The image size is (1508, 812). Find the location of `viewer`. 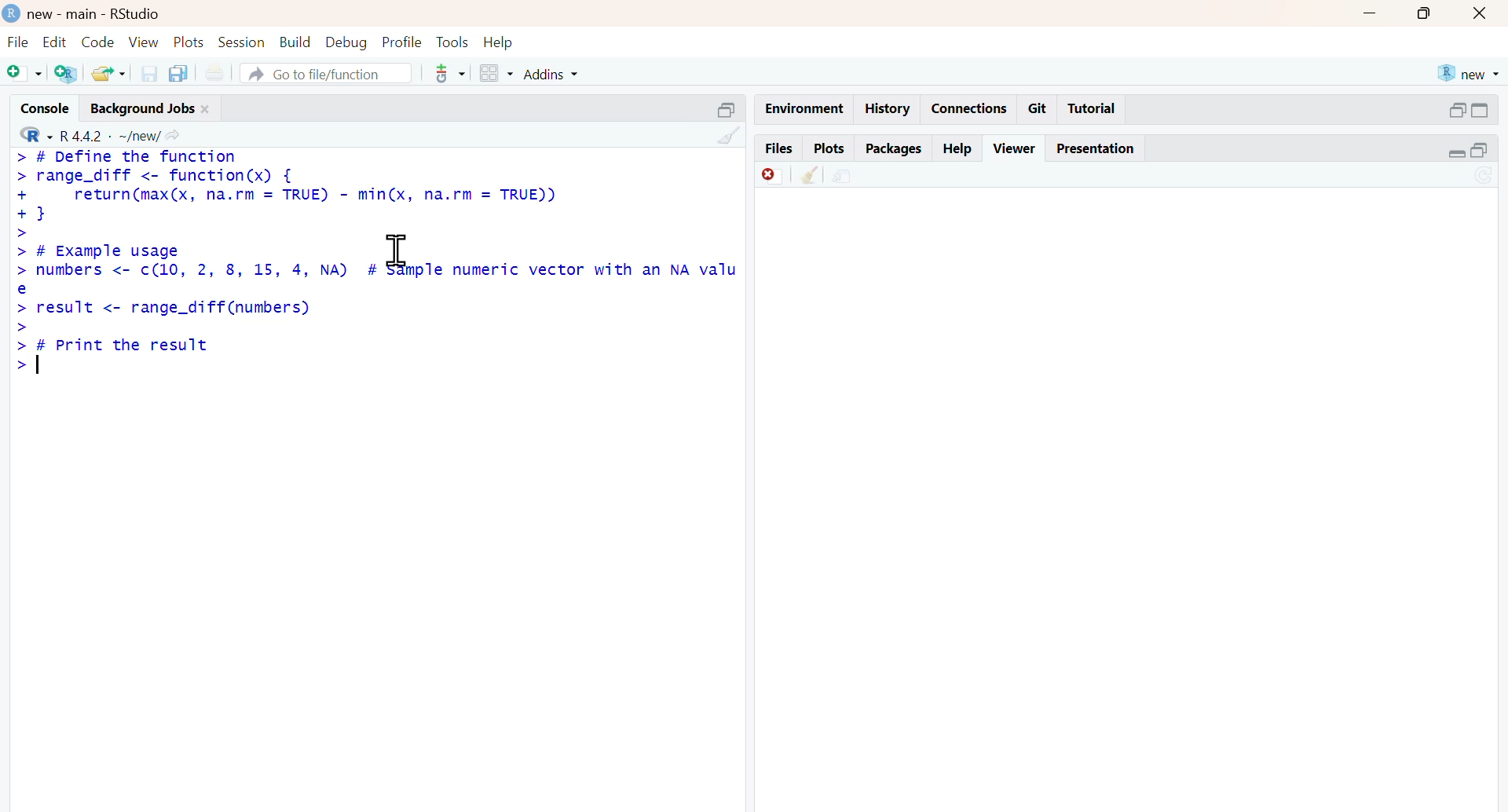

viewer is located at coordinates (1016, 148).